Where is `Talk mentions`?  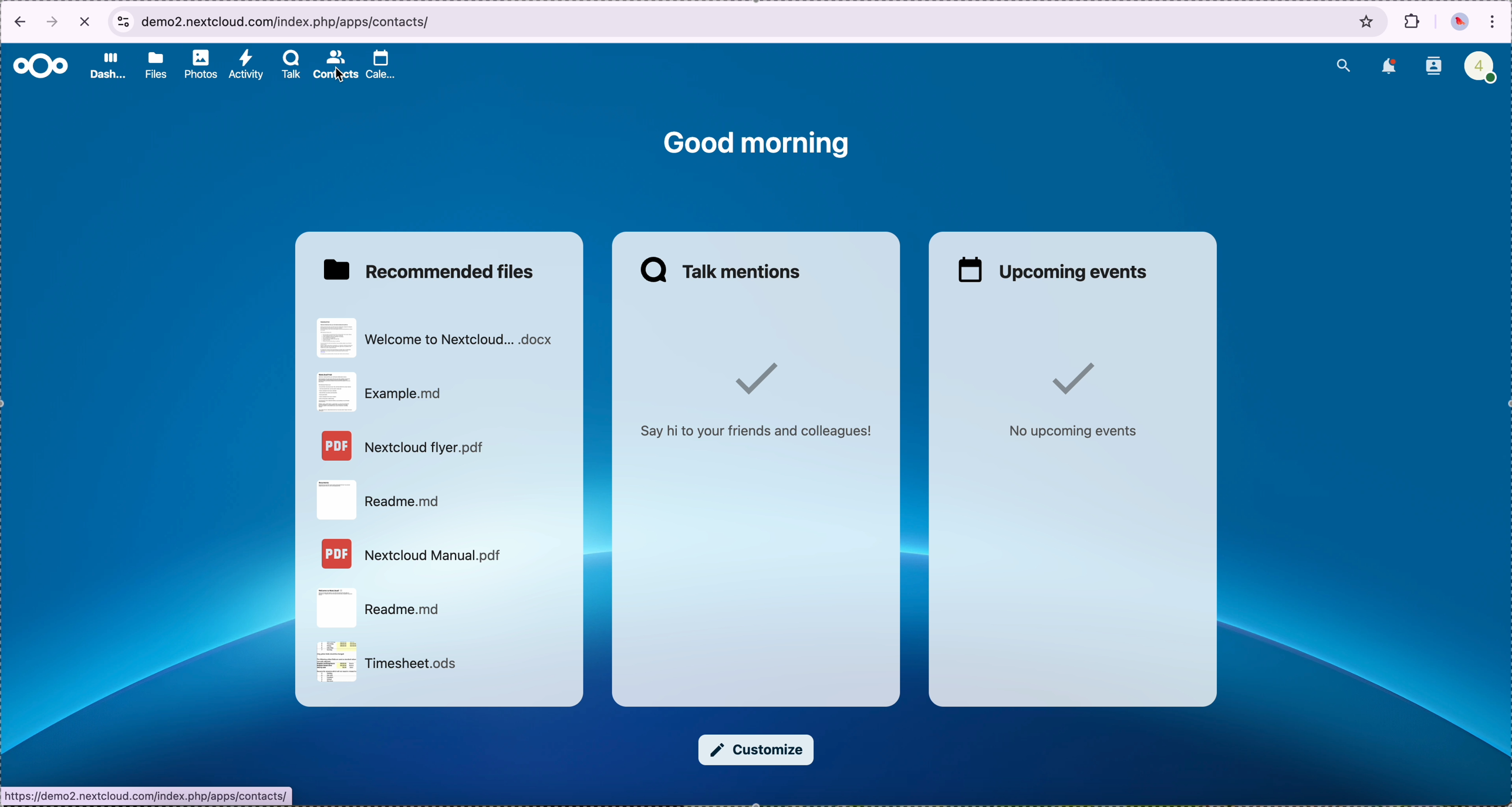
Talk mentions is located at coordinates (725, 272).